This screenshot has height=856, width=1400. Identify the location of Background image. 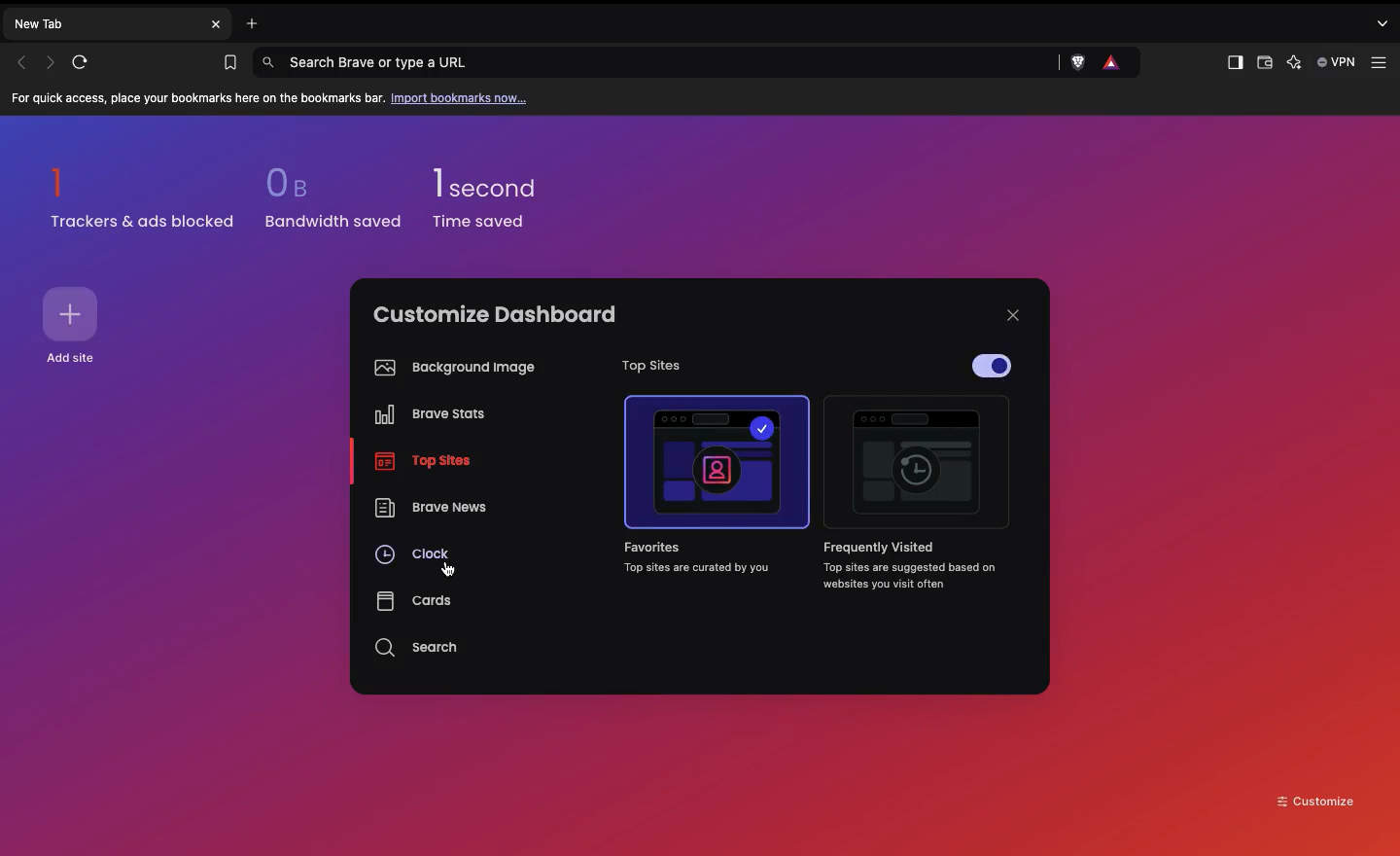
(450, 368).